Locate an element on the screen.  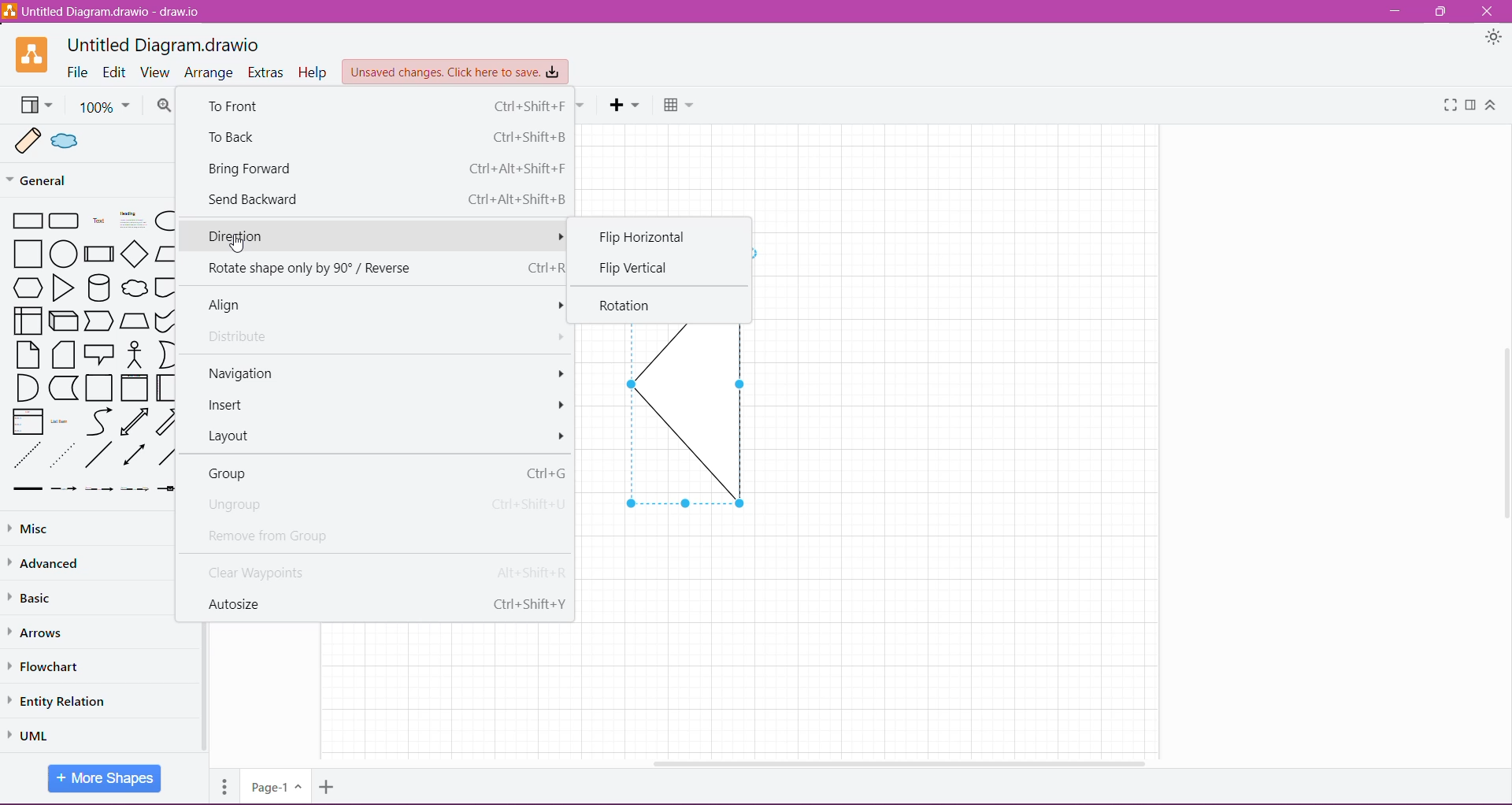
Minimize is located at coordinates (1394, 12).